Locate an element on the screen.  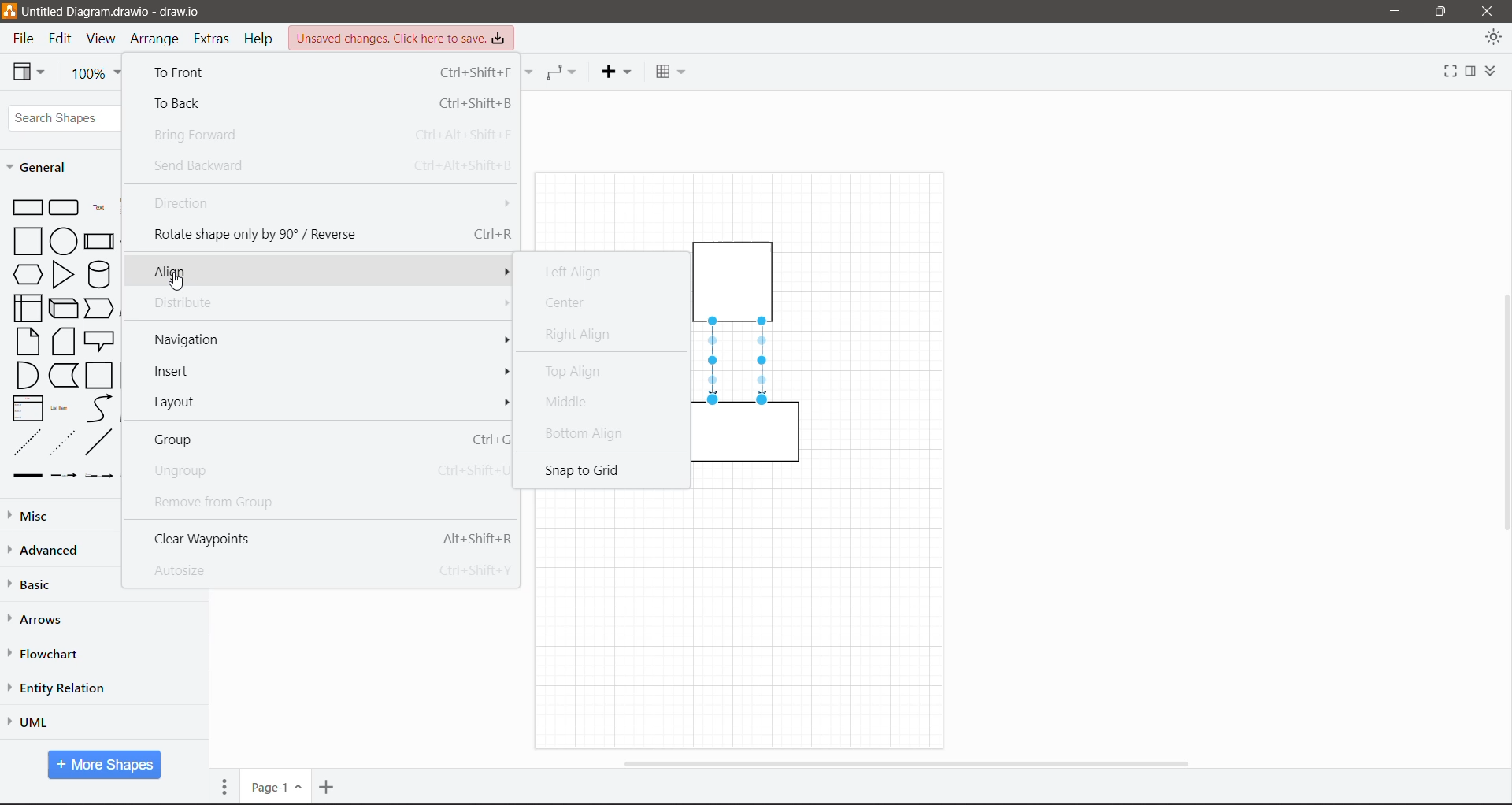
Rounded Rectangle is located at coordinates (65, 206).